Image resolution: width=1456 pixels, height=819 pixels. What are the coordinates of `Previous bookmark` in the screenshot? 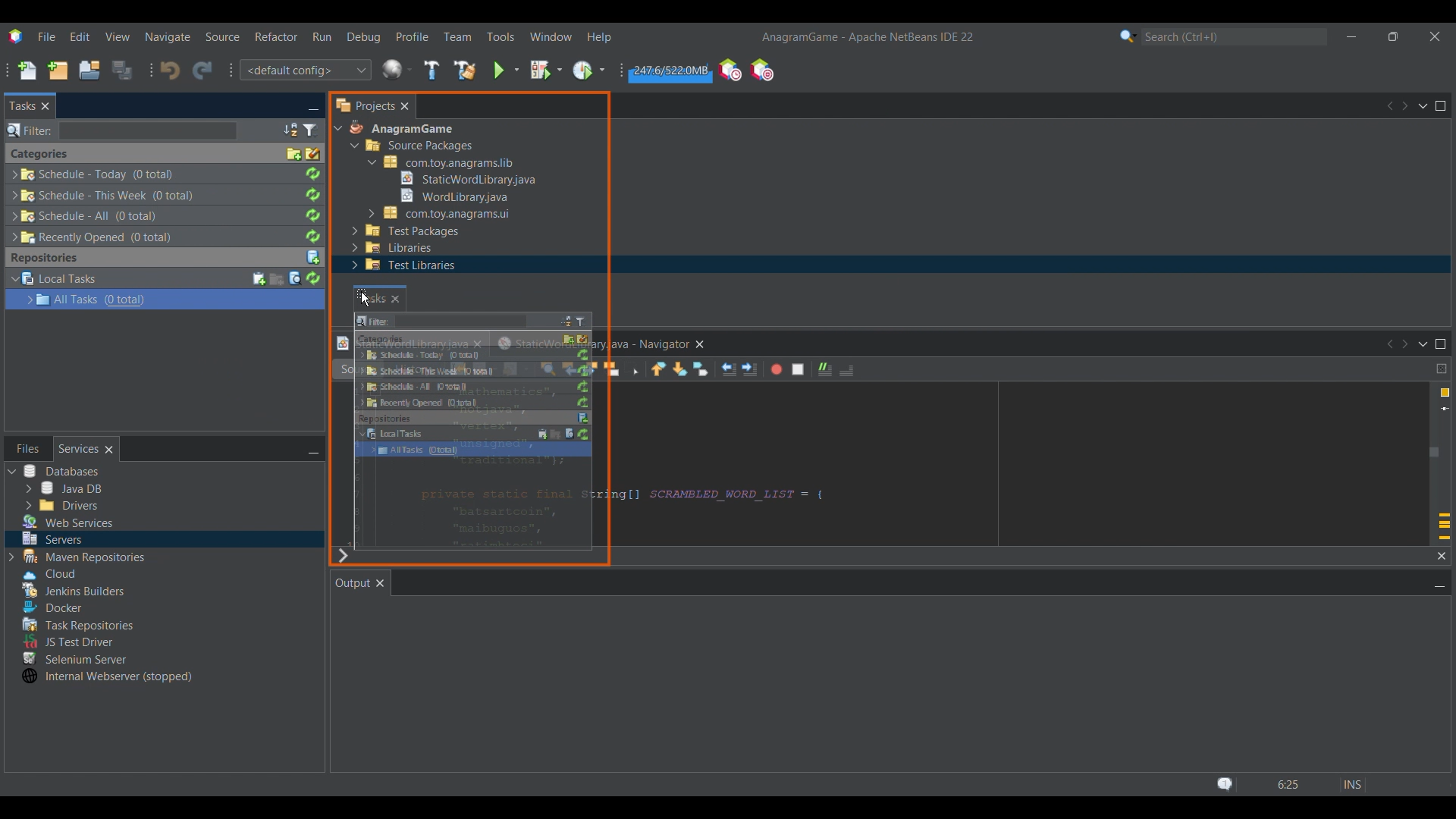 It's located at (658, 369).